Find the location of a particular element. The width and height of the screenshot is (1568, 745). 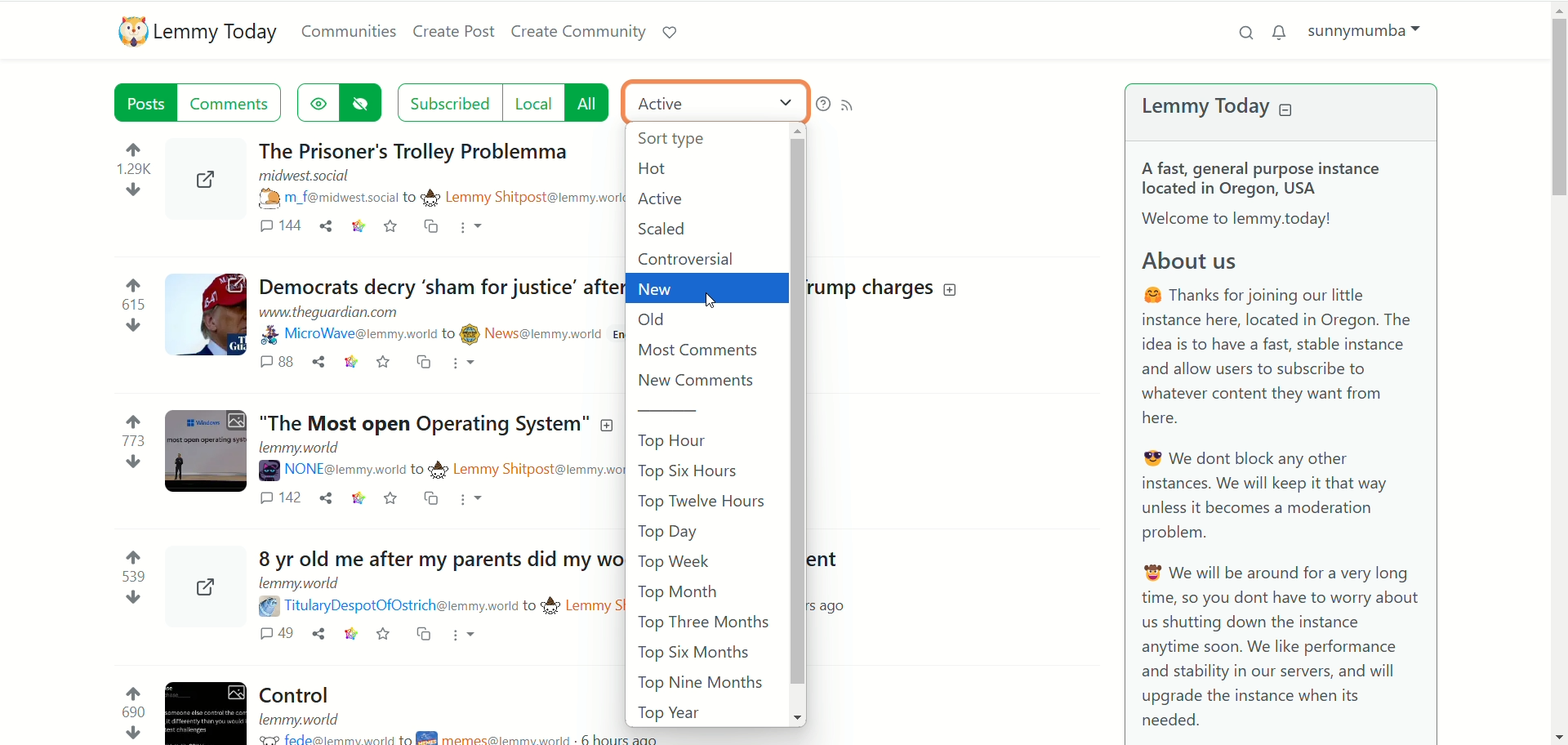

communities is located at coordinates (350, 29).